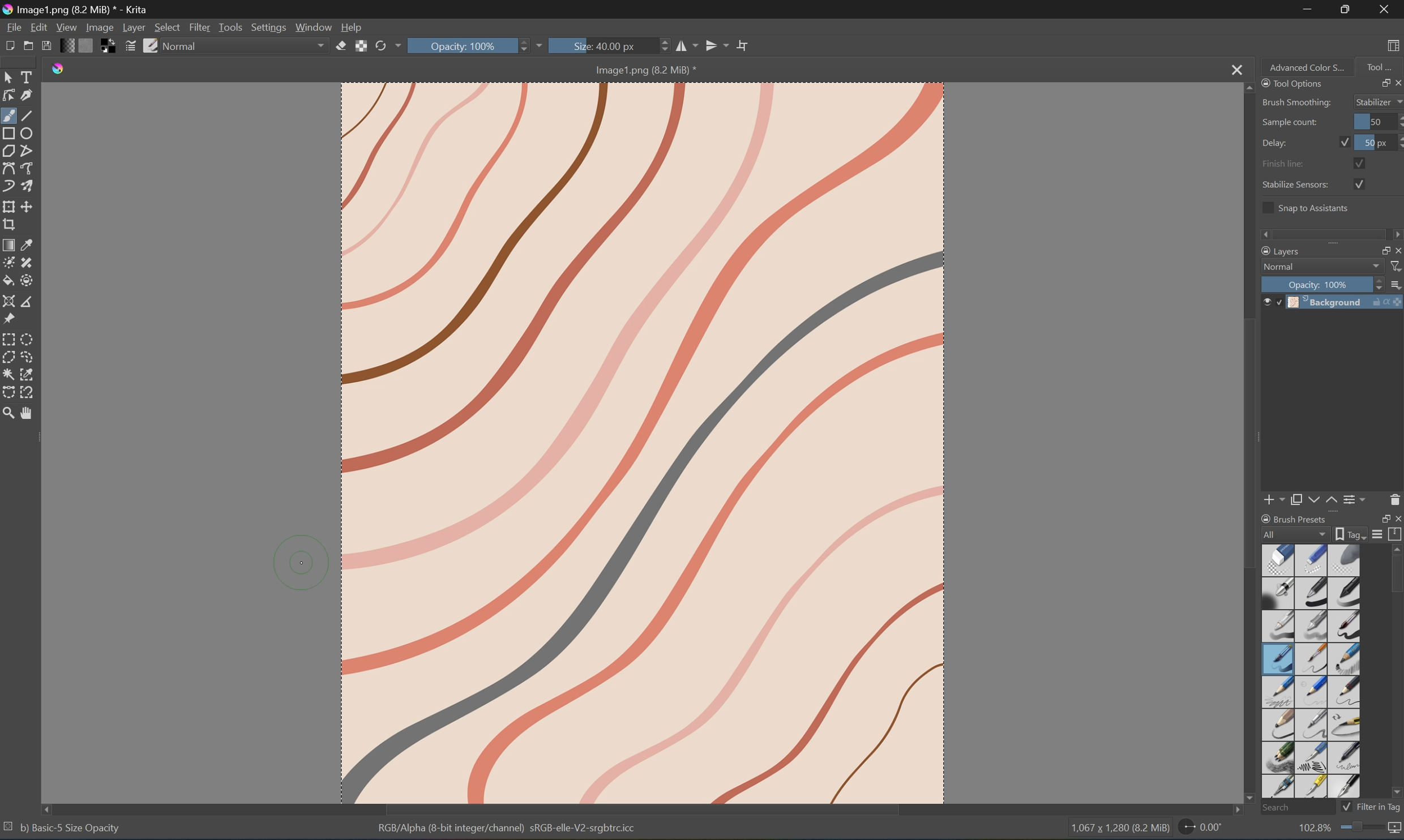 The width and height of the screenshot is (1404, 840). What do you see at coordinates (362, 48) in the screenshot?
I see `Preserve alpha` at bounding box center [362, 48].